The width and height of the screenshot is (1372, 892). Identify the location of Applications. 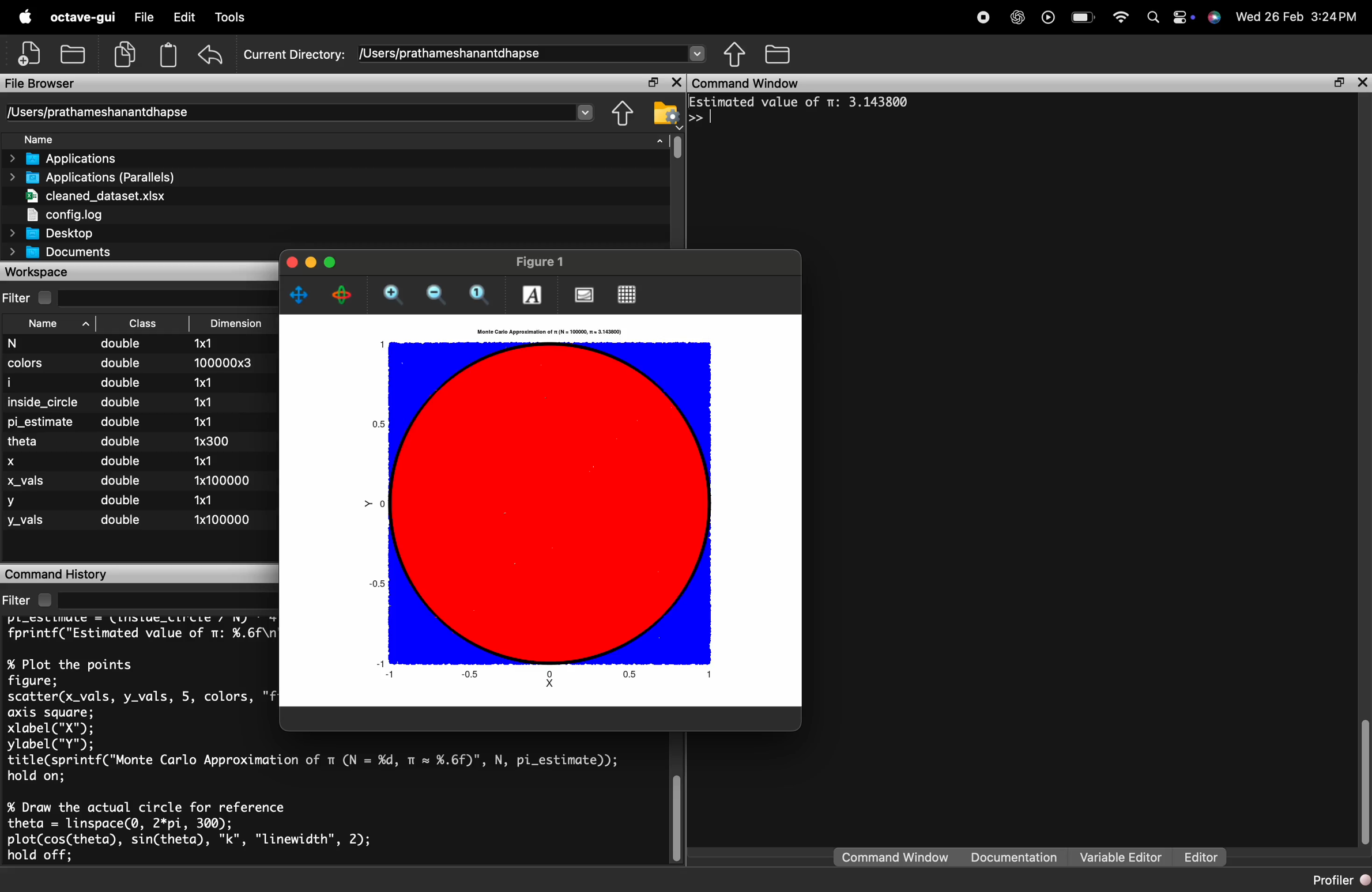
(70, 159).